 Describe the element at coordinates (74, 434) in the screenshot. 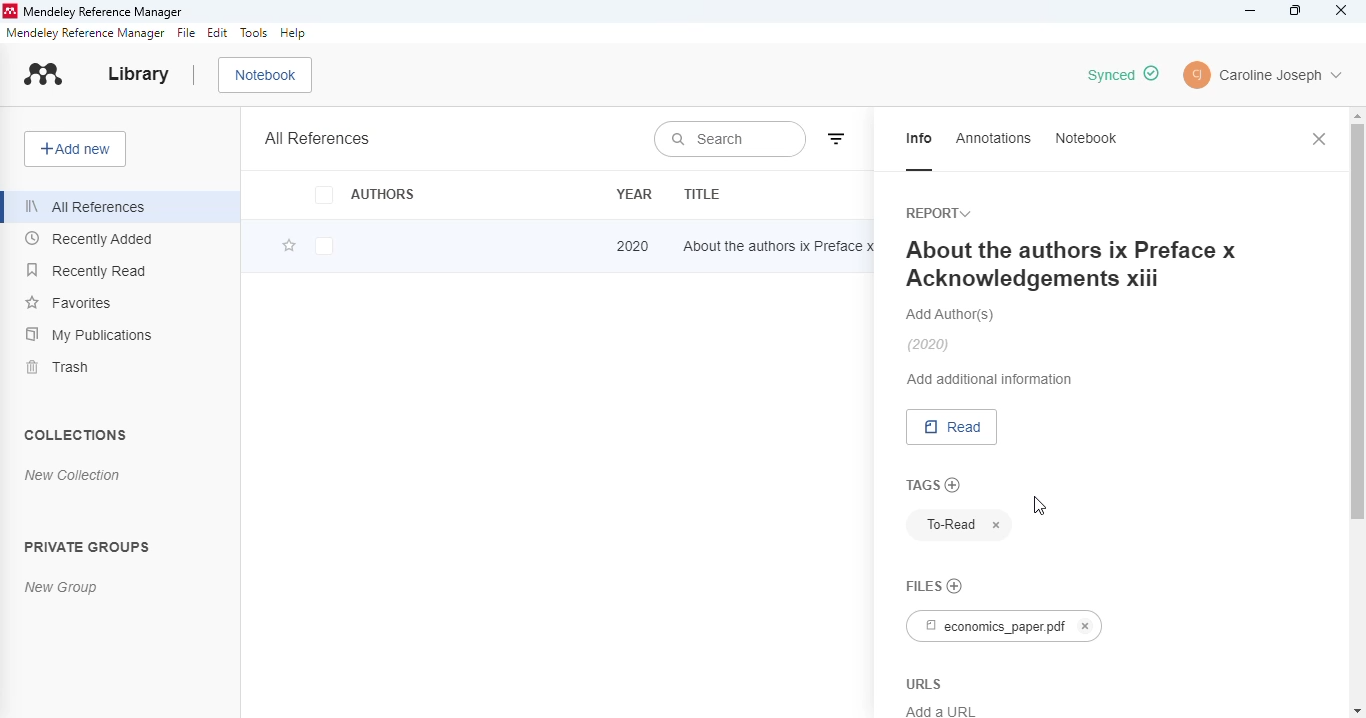

I see `collections` at that location.